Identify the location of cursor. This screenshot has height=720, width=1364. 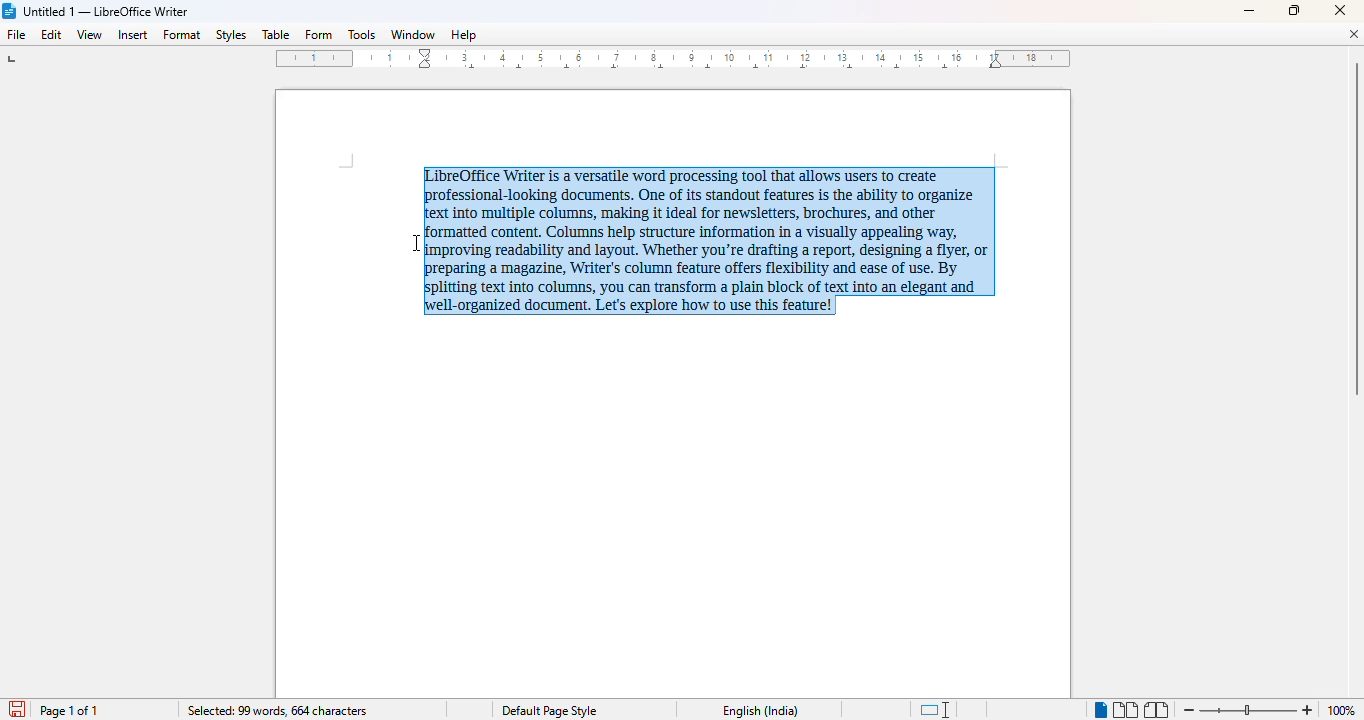
(416, 243).